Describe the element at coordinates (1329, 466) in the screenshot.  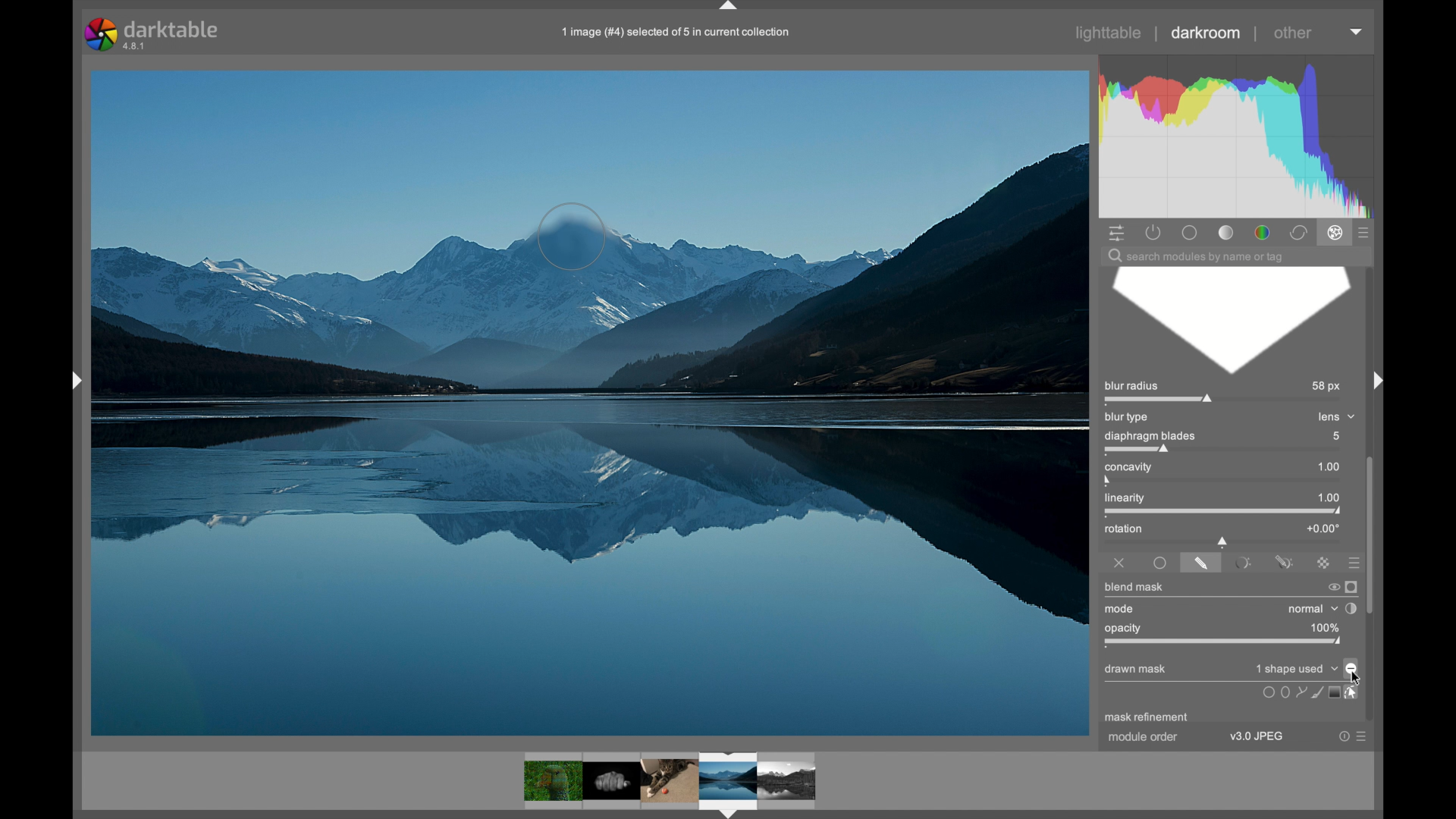
I see `1.00` at that location.